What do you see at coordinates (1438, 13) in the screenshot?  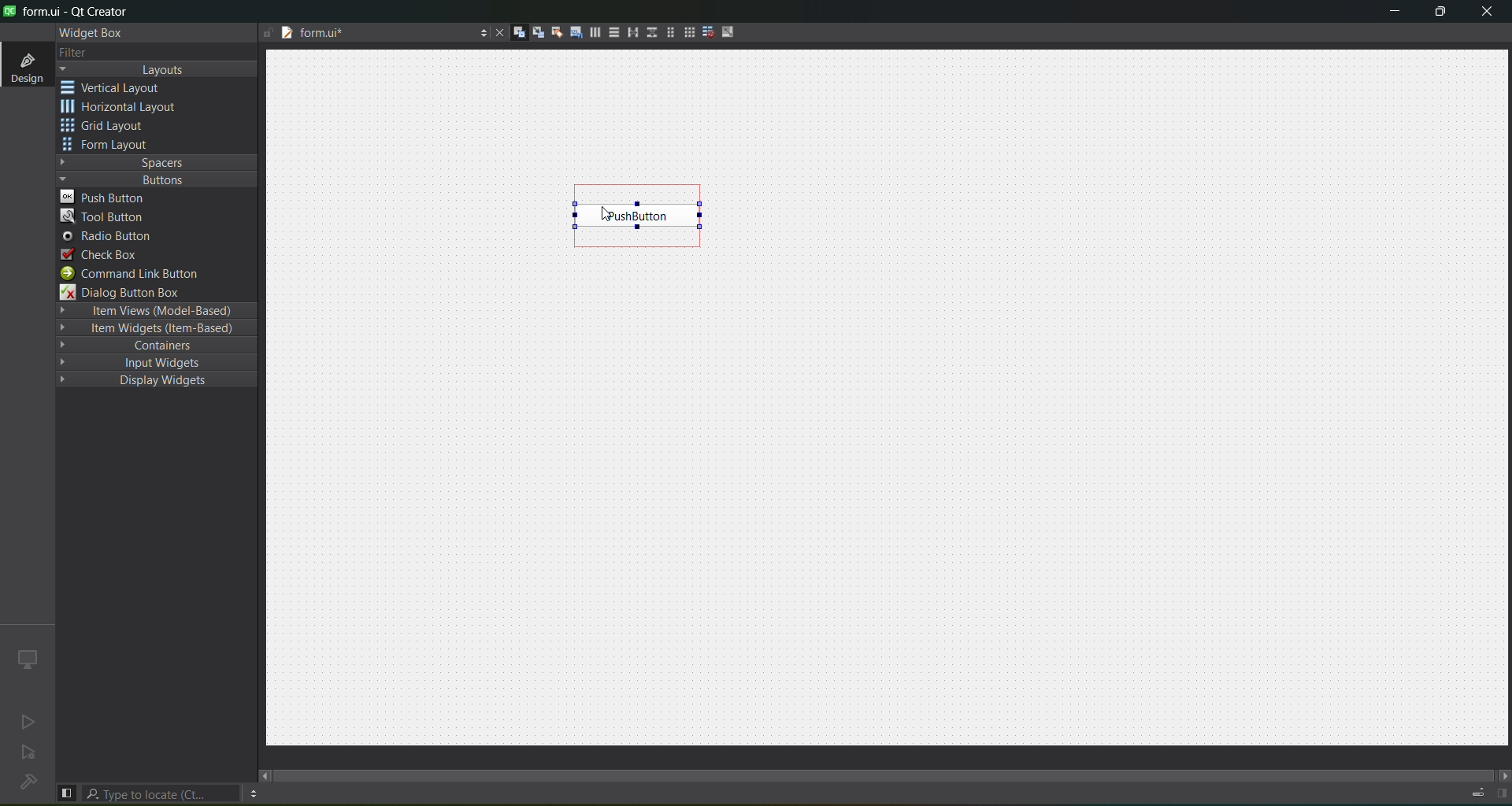 I see `maximize` at bounding box center [1438, 13].